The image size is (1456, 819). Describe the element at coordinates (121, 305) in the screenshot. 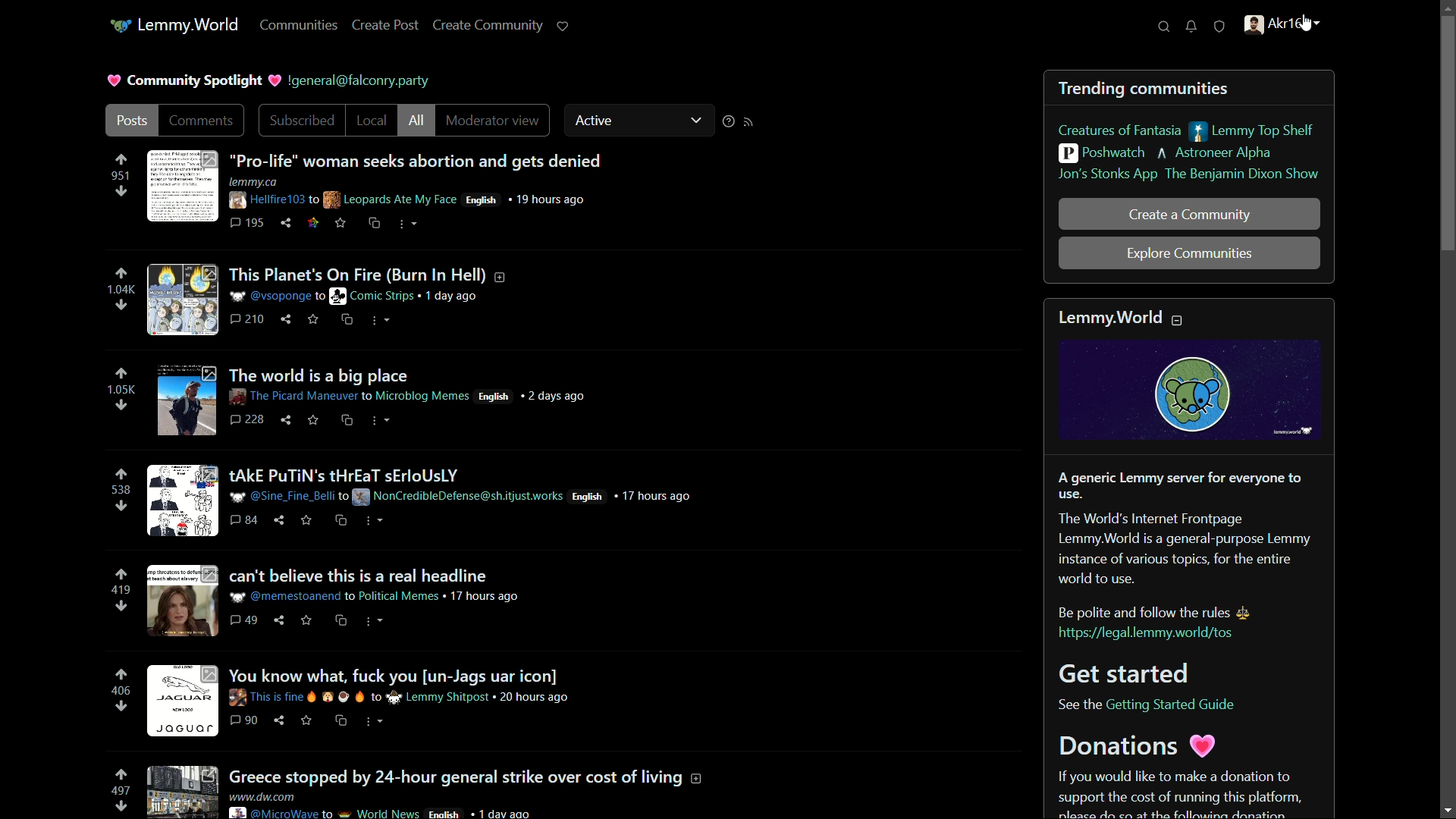

I see `downvote` at that location.